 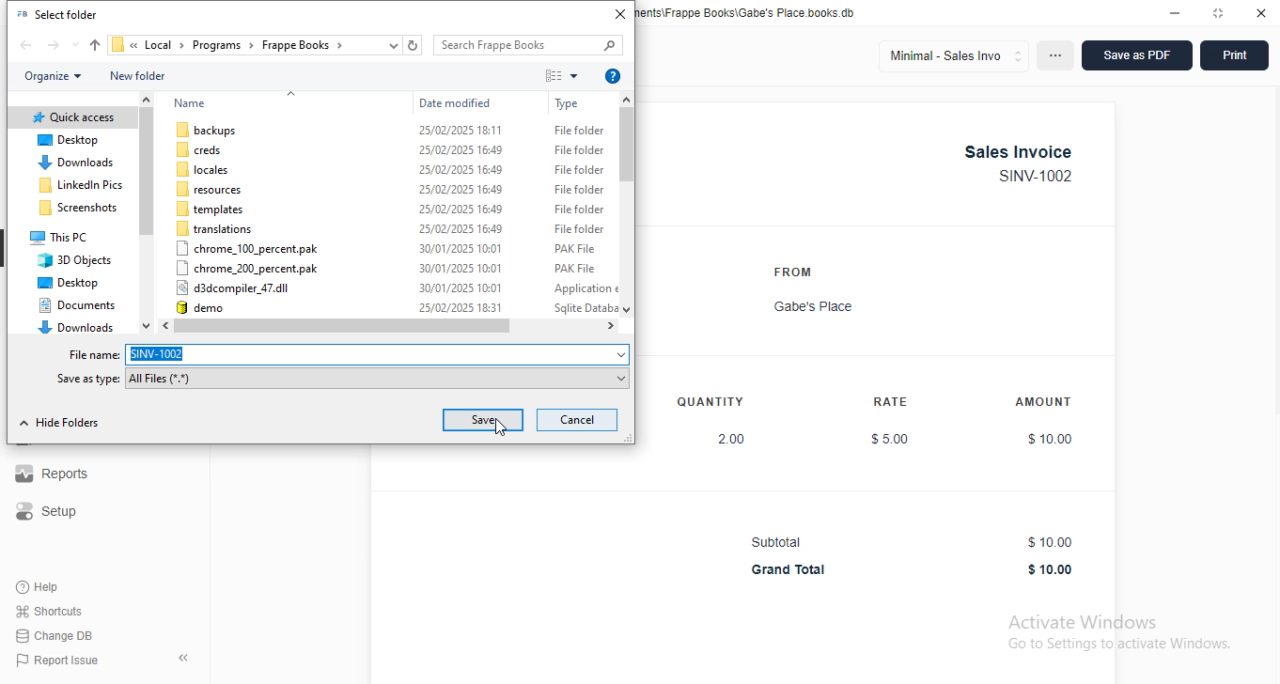 I want to click on downloads, so click(x=76, y=162).